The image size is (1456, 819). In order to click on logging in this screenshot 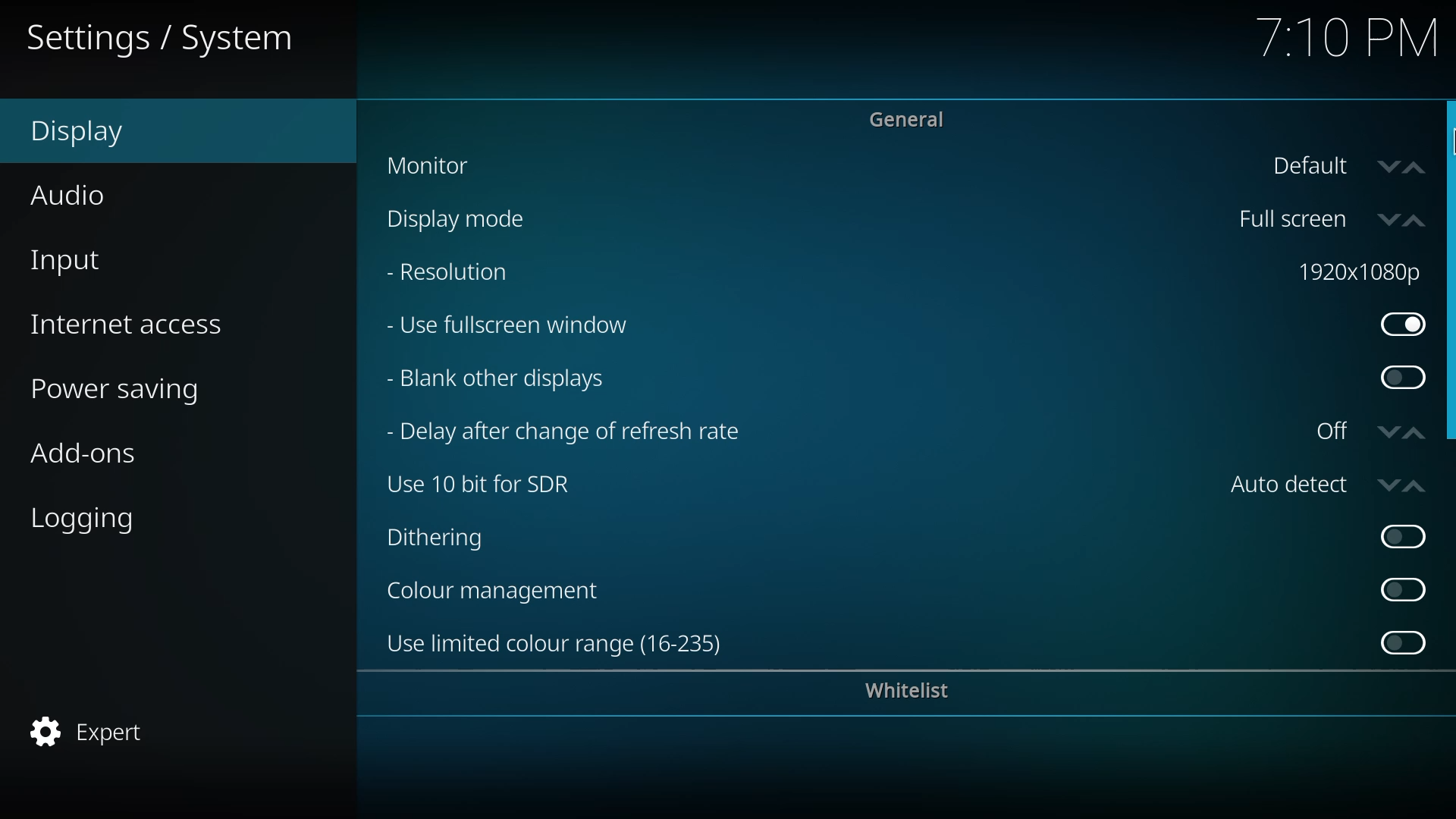, I will do `click(89, 519)`.